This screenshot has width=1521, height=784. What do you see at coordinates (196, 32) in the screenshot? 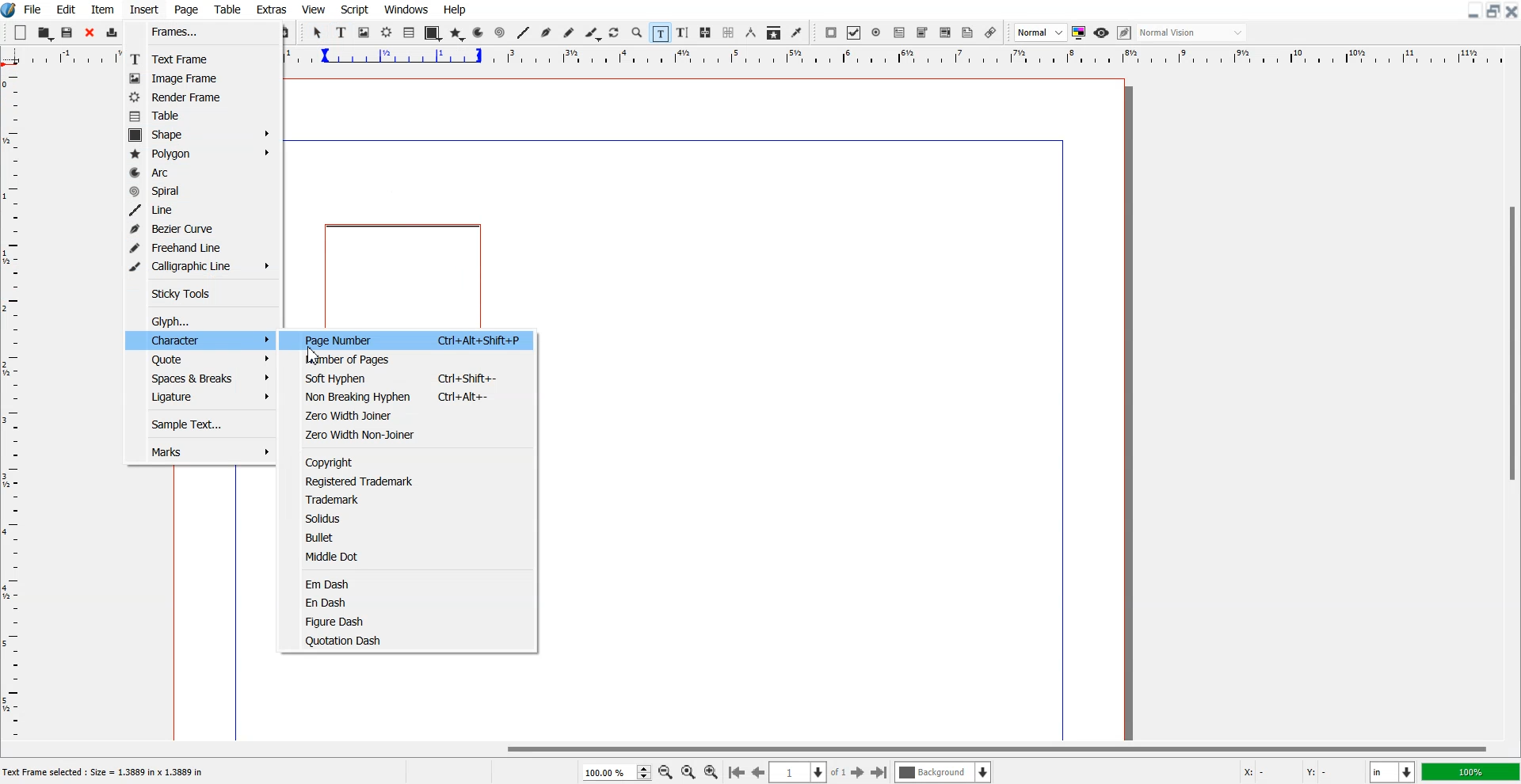
I see `Frames` at bounding box center [196, 32].